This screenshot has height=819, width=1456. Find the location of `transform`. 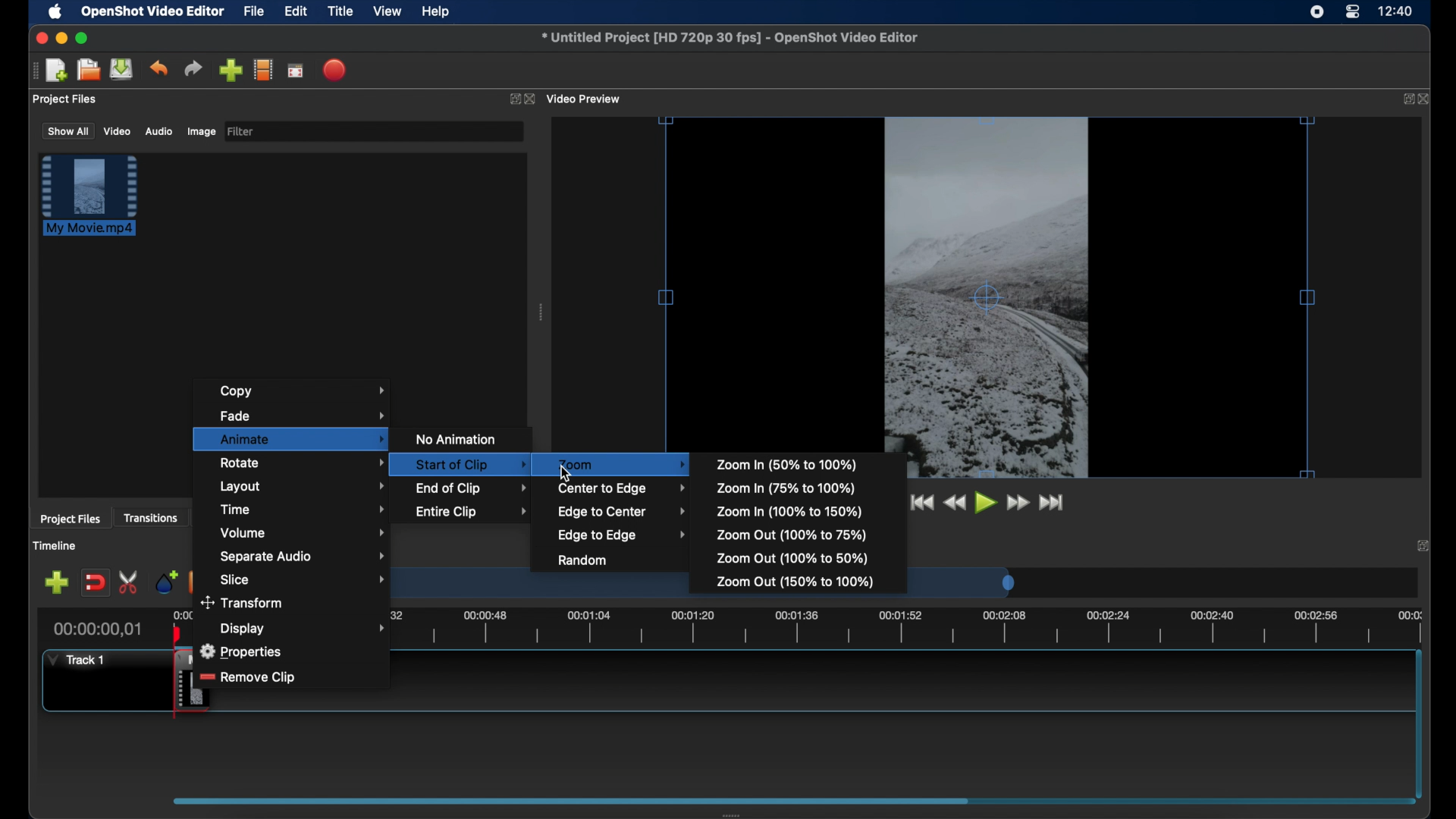

transform is located at coordinates (243, 604).